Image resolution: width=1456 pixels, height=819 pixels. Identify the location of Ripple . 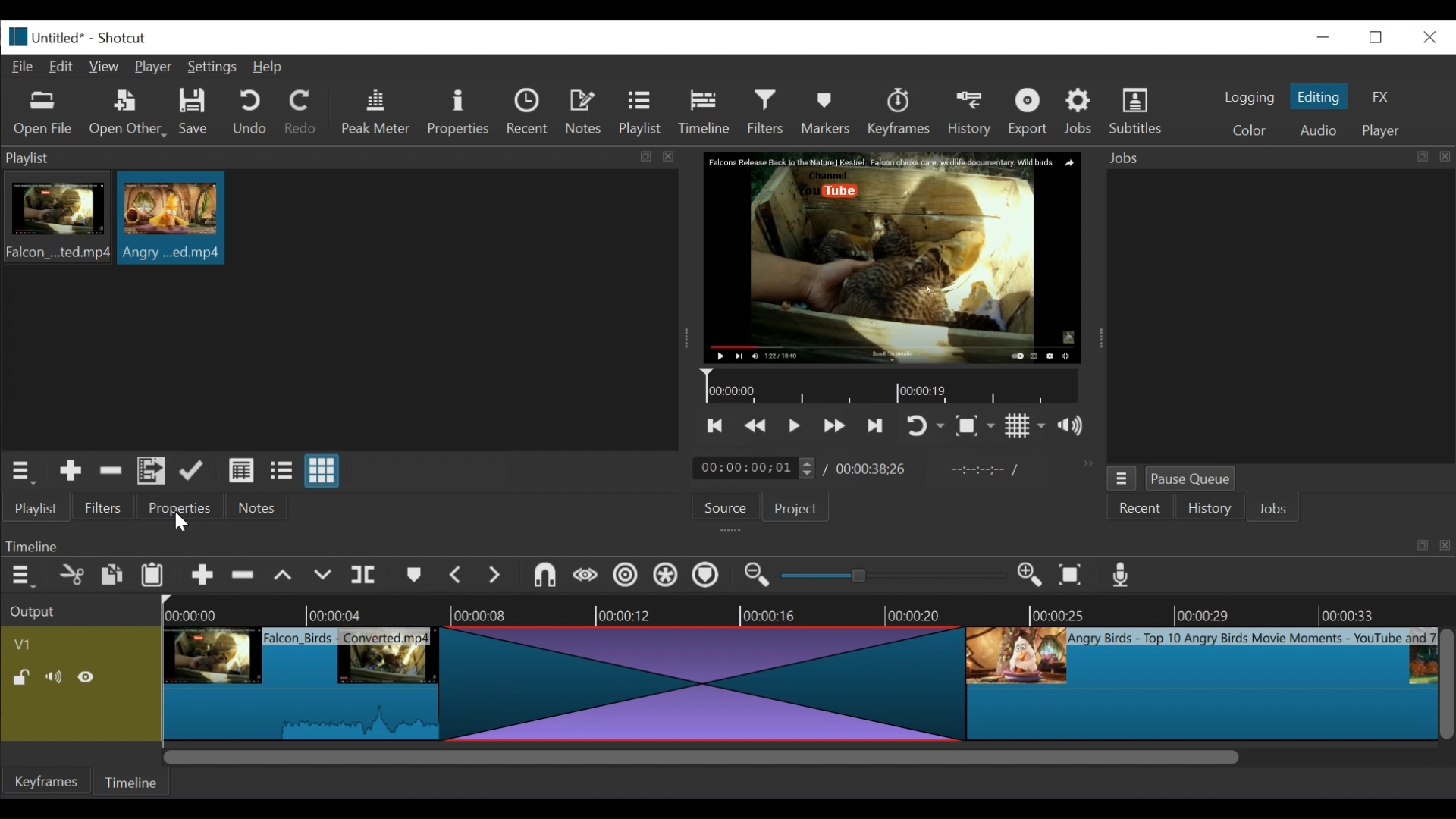
(626, 577).